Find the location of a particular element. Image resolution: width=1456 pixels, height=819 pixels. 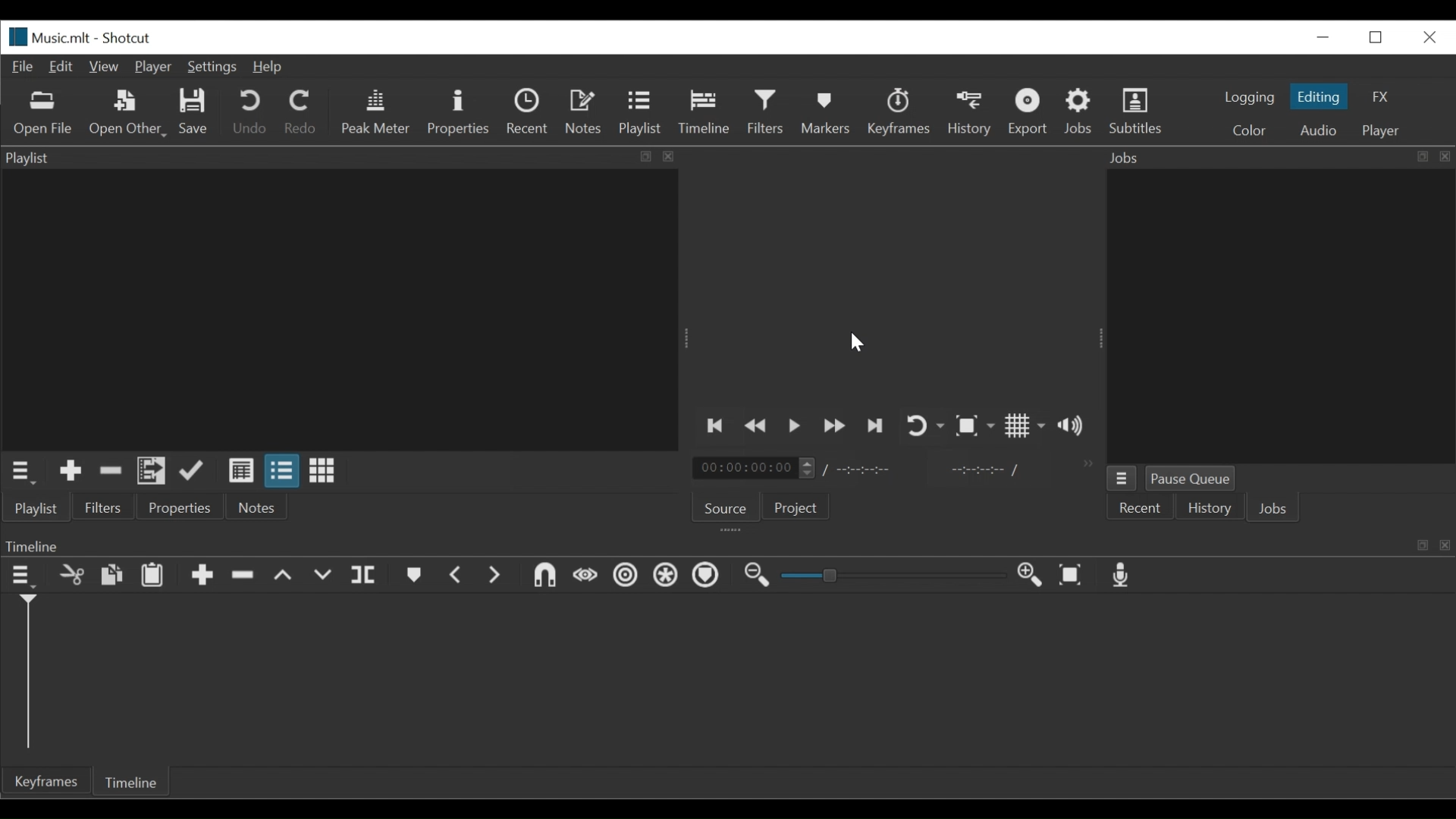

cursor is located at coordinates (855, 340).